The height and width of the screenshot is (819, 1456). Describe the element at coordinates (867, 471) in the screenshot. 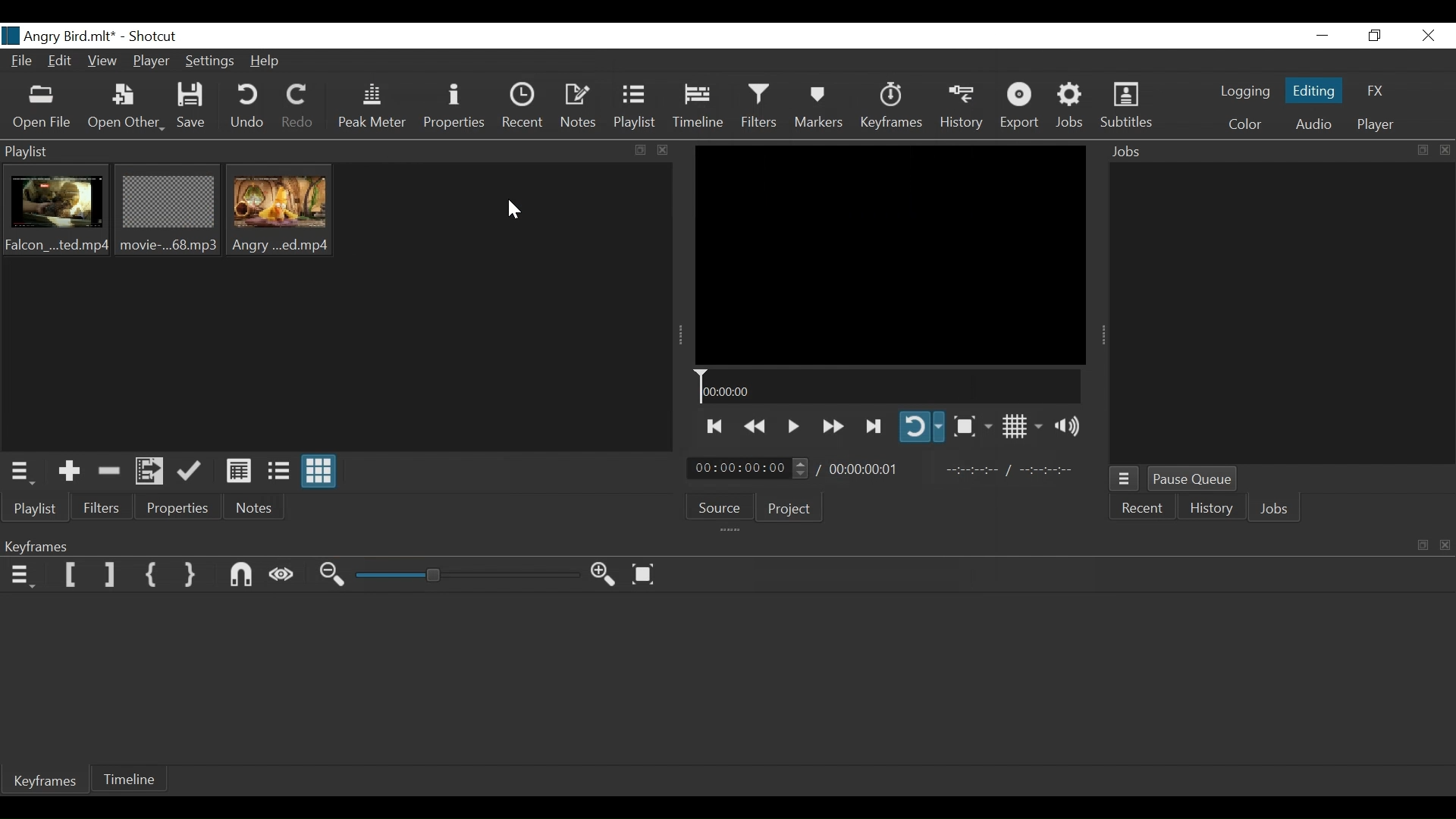

I see `Total Duration` at that location.